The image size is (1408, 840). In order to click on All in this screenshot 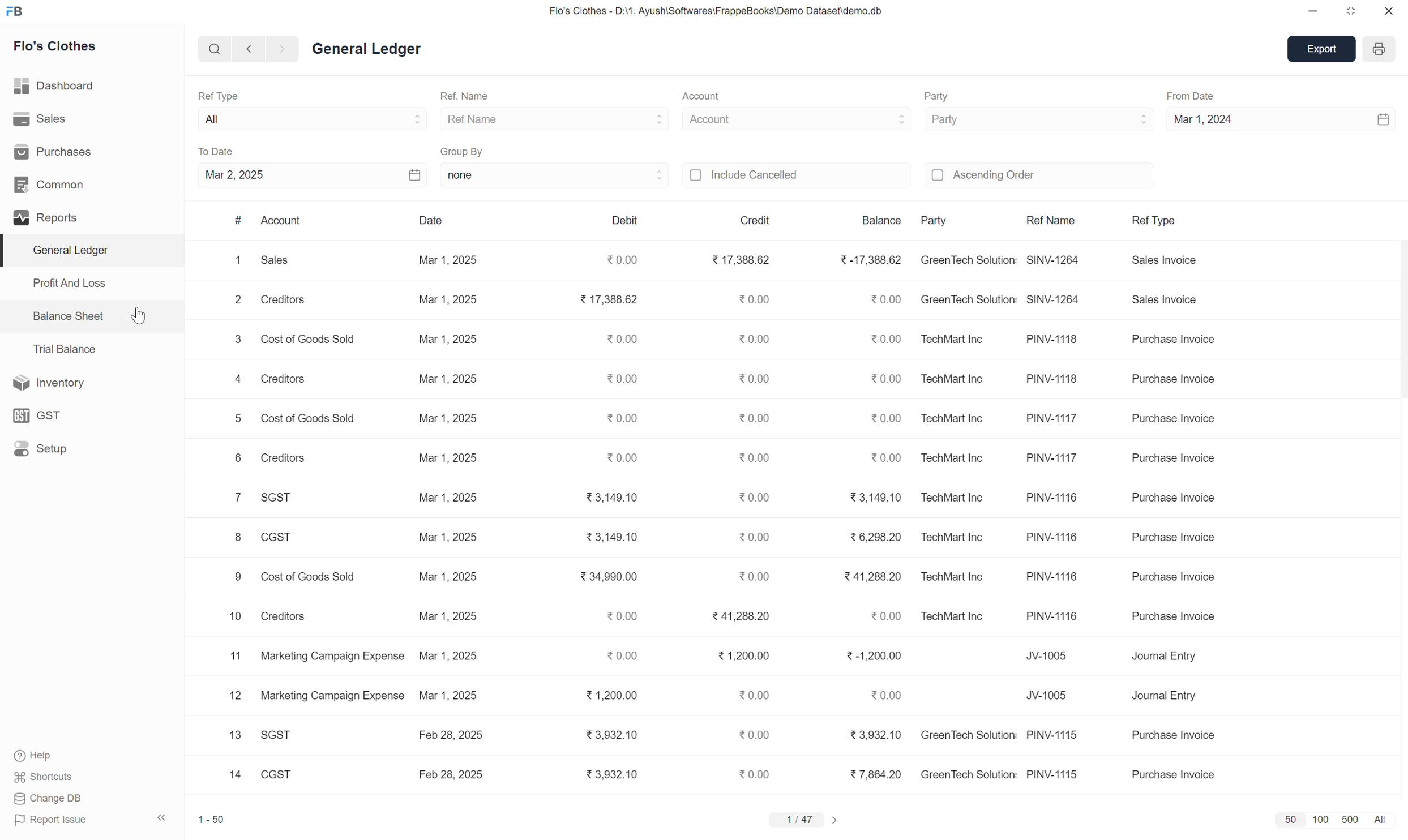, I will do `click(1382, 820)`.